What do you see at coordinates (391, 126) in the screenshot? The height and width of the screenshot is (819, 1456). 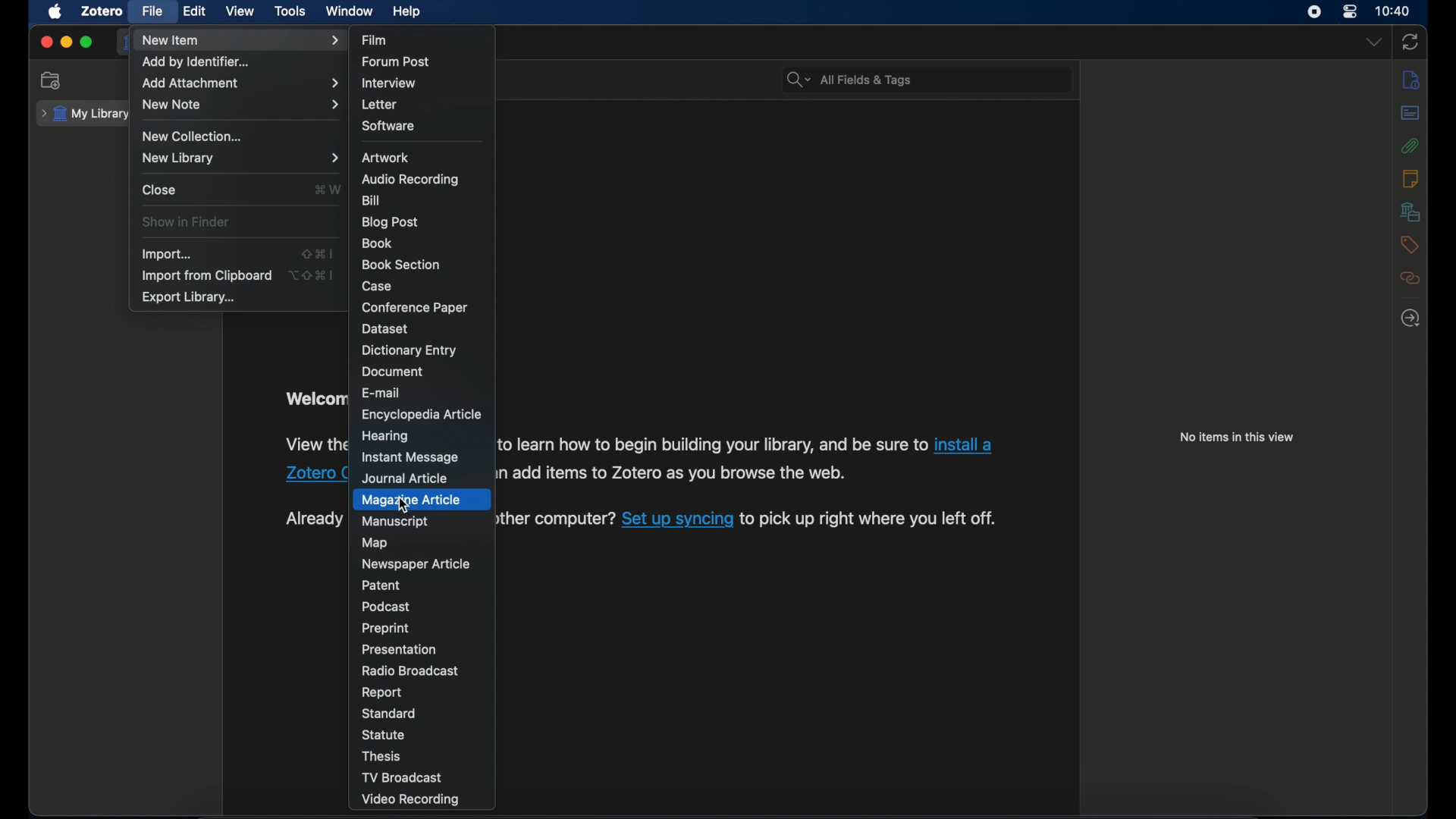 I see `software` at bounding box center [391, 126].